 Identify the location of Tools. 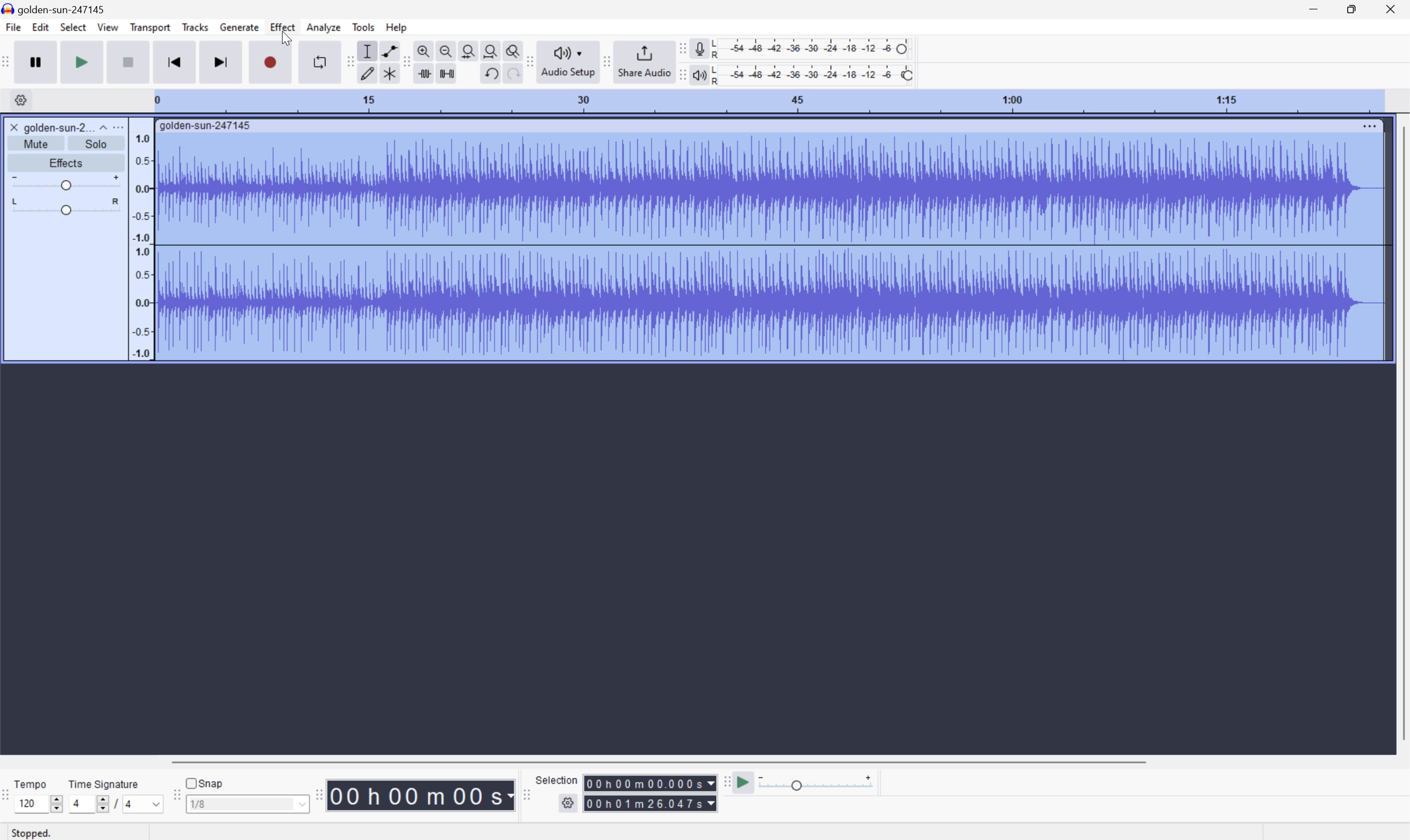
(363, 25).